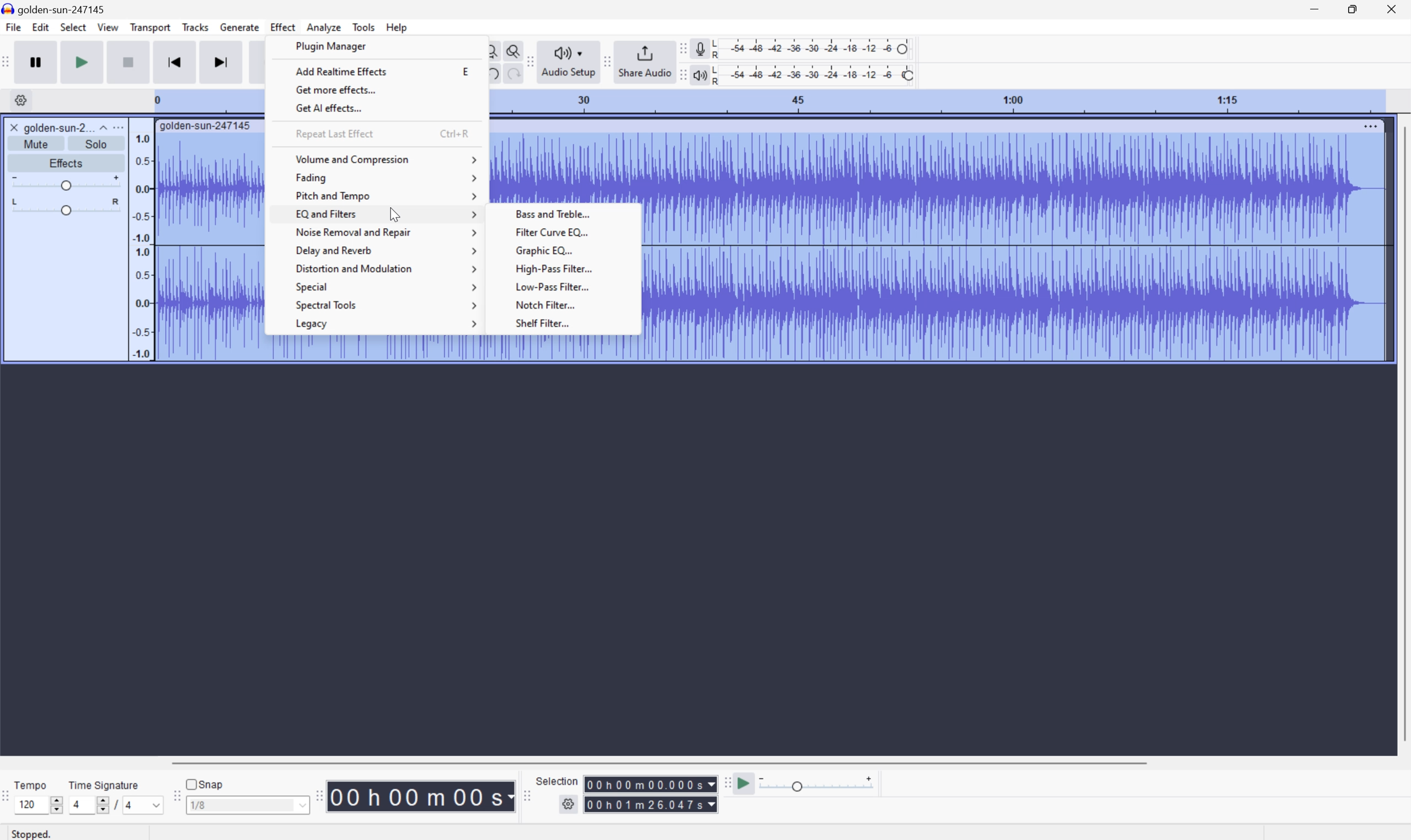 The width and height of the screenshot is (1411, 840). Describe the element at coordinates (65, 127) in the screenshot. I see `golden-sun-2...` at that location.